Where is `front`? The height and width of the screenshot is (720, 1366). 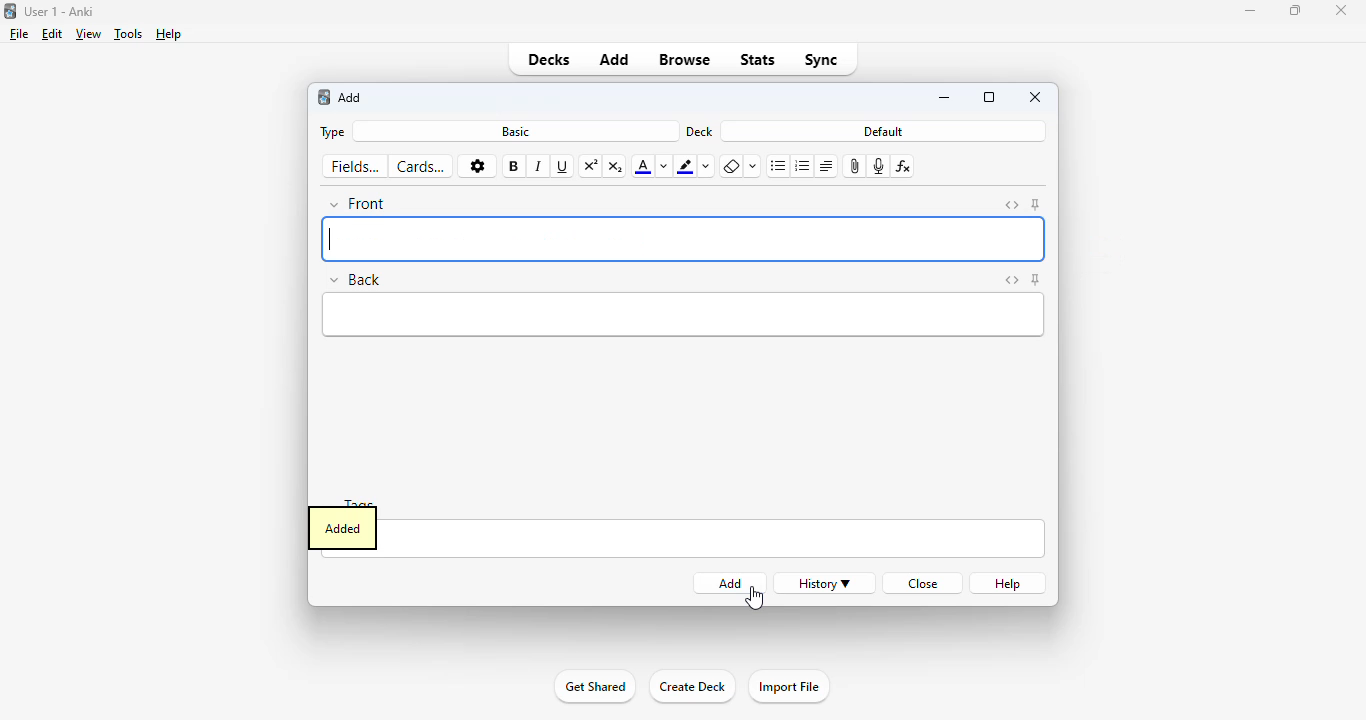 front is located at coordinates (359, 204).